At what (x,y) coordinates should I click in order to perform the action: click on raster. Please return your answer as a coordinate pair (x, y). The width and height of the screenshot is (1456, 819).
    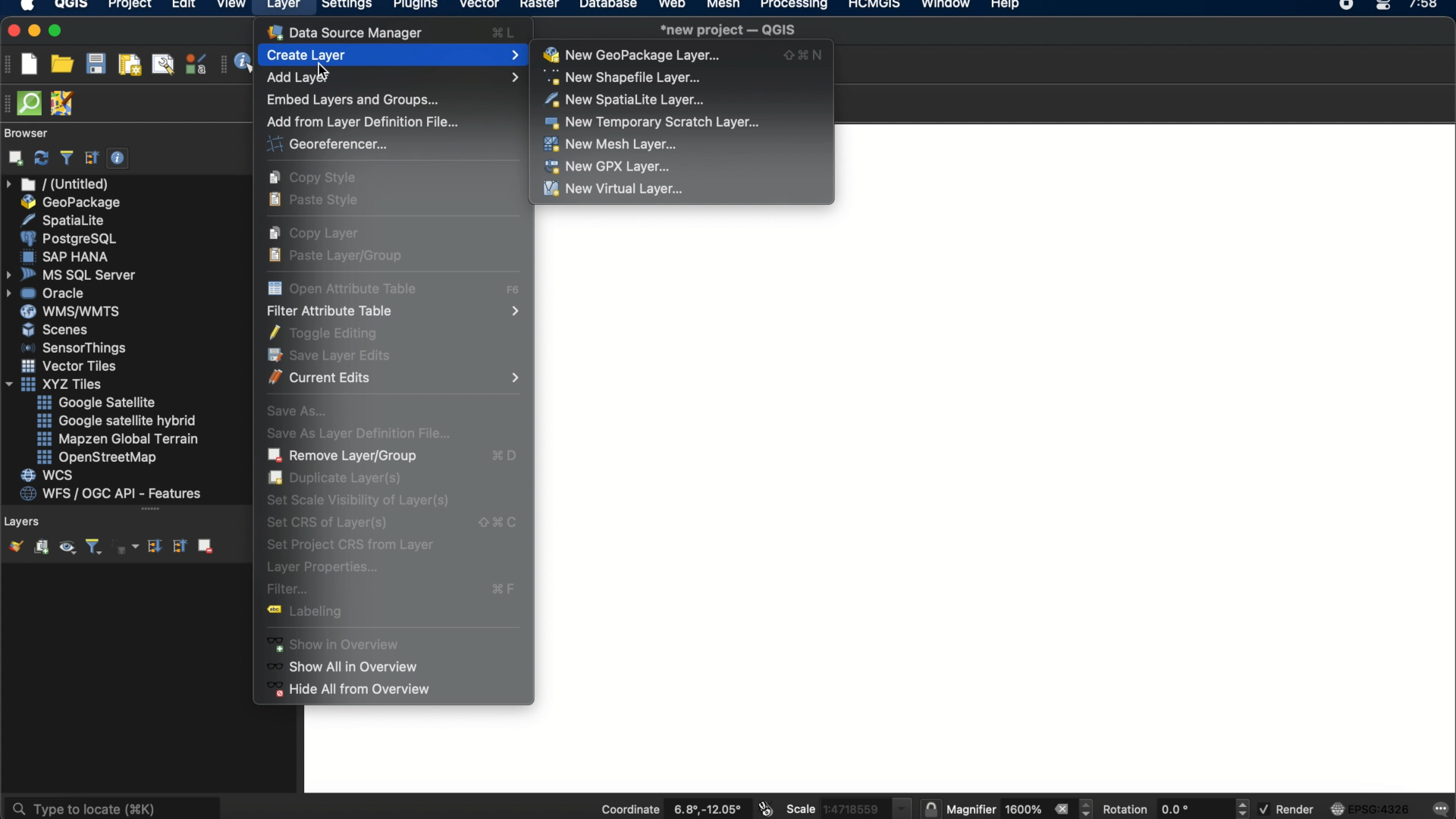
    Looking at the image, I should click on (538, 6).